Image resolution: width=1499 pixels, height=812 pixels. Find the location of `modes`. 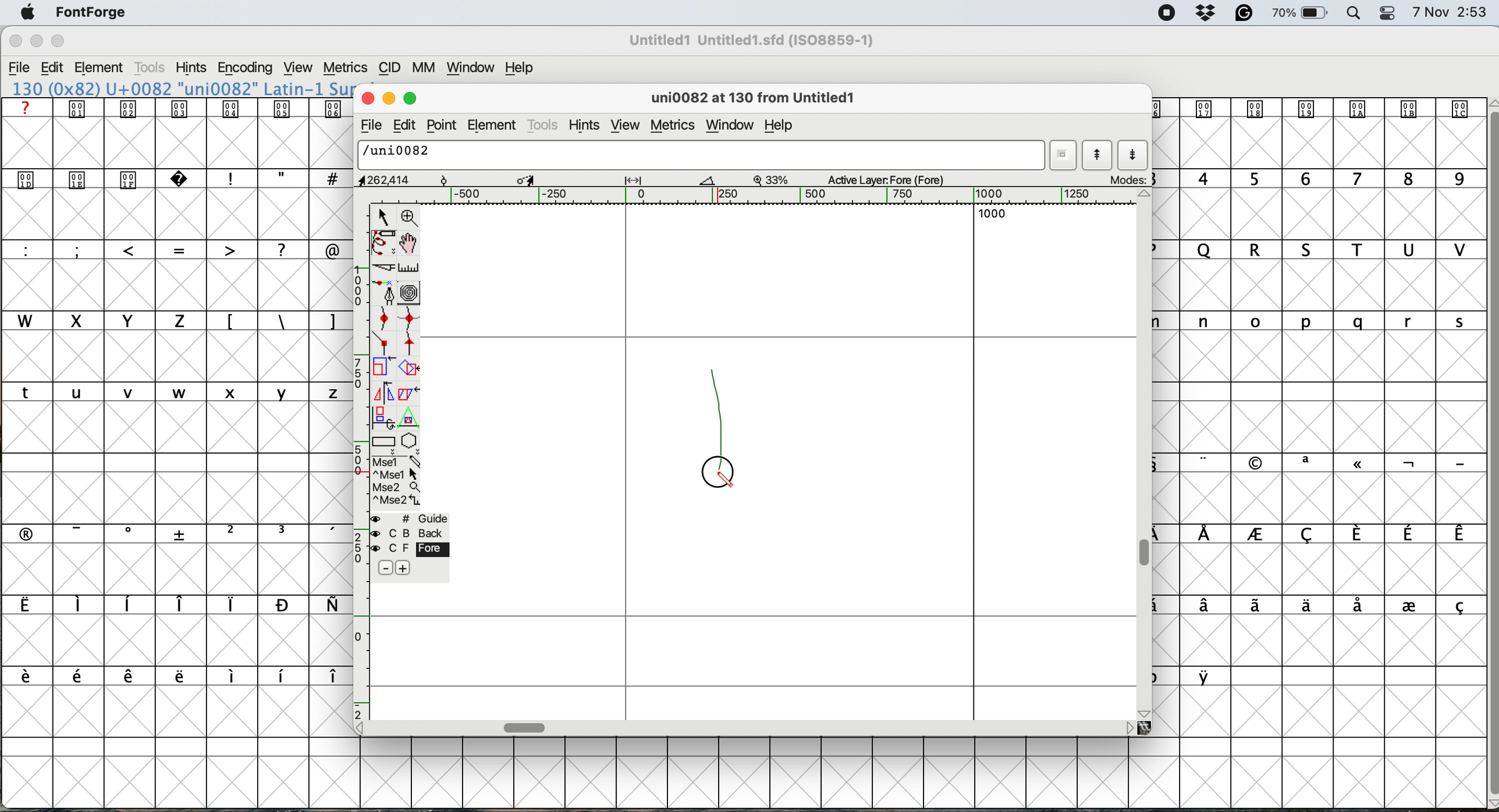

modes is located at coordinates (1129, 179).